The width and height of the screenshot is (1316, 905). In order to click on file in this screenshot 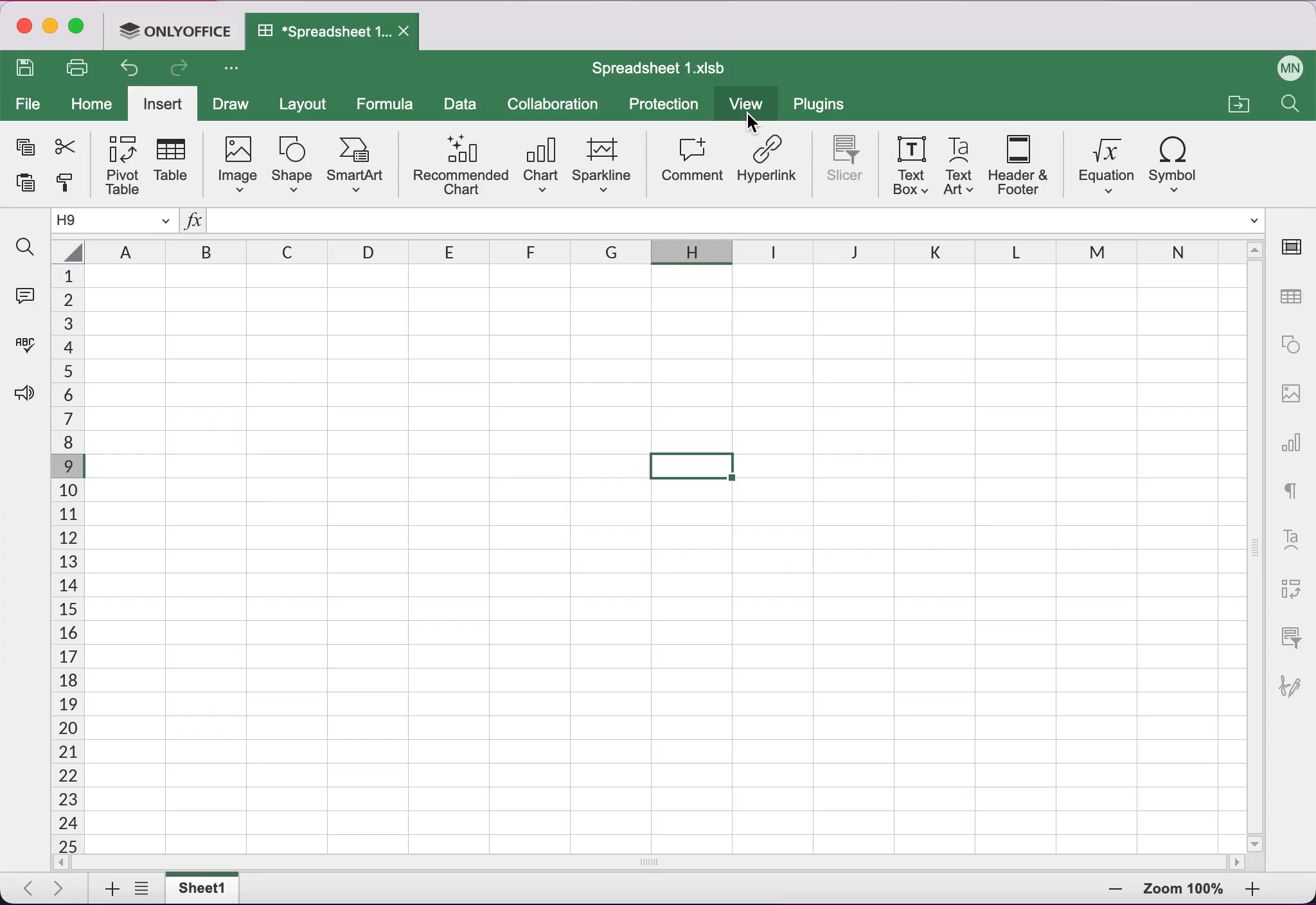, I will do `click(28, 103)`.